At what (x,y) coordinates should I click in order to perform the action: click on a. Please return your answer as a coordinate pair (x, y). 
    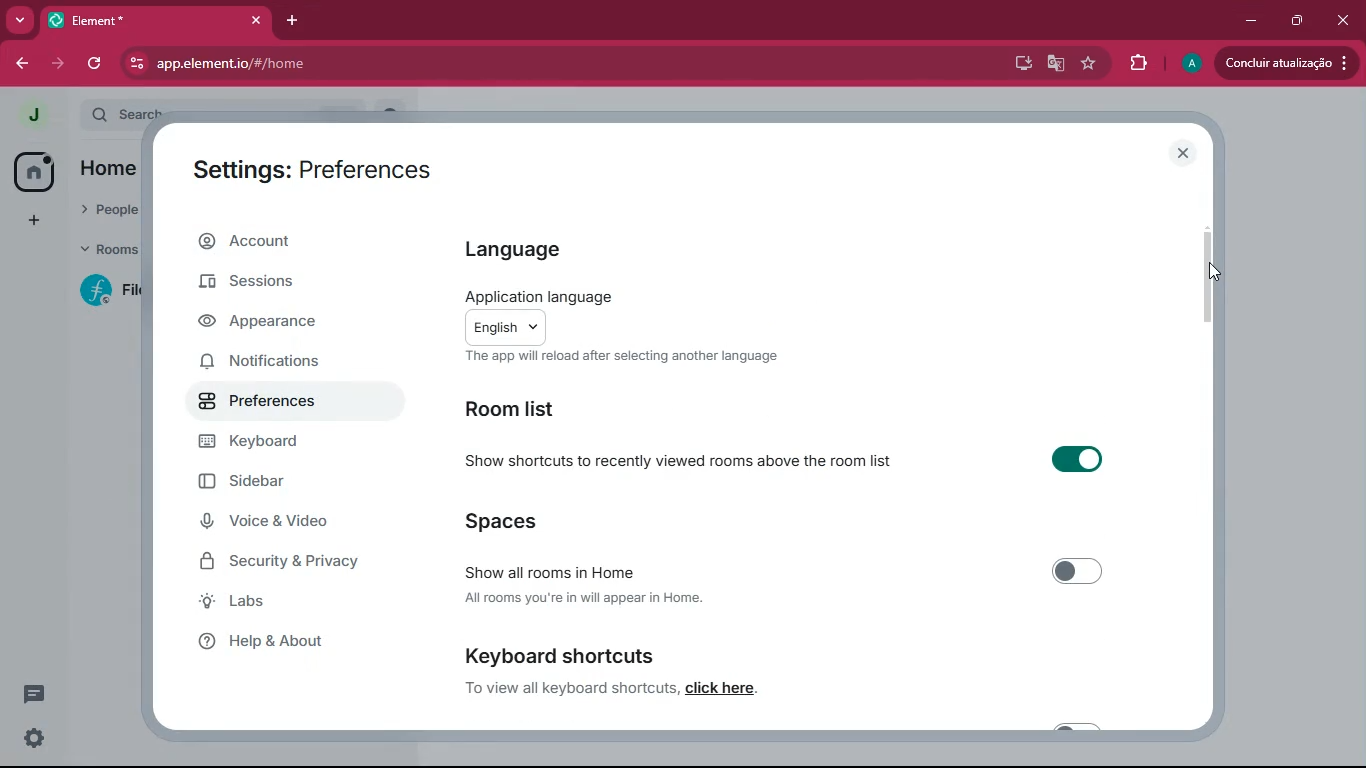
    Looking at the image, I should click on (1191, 63).